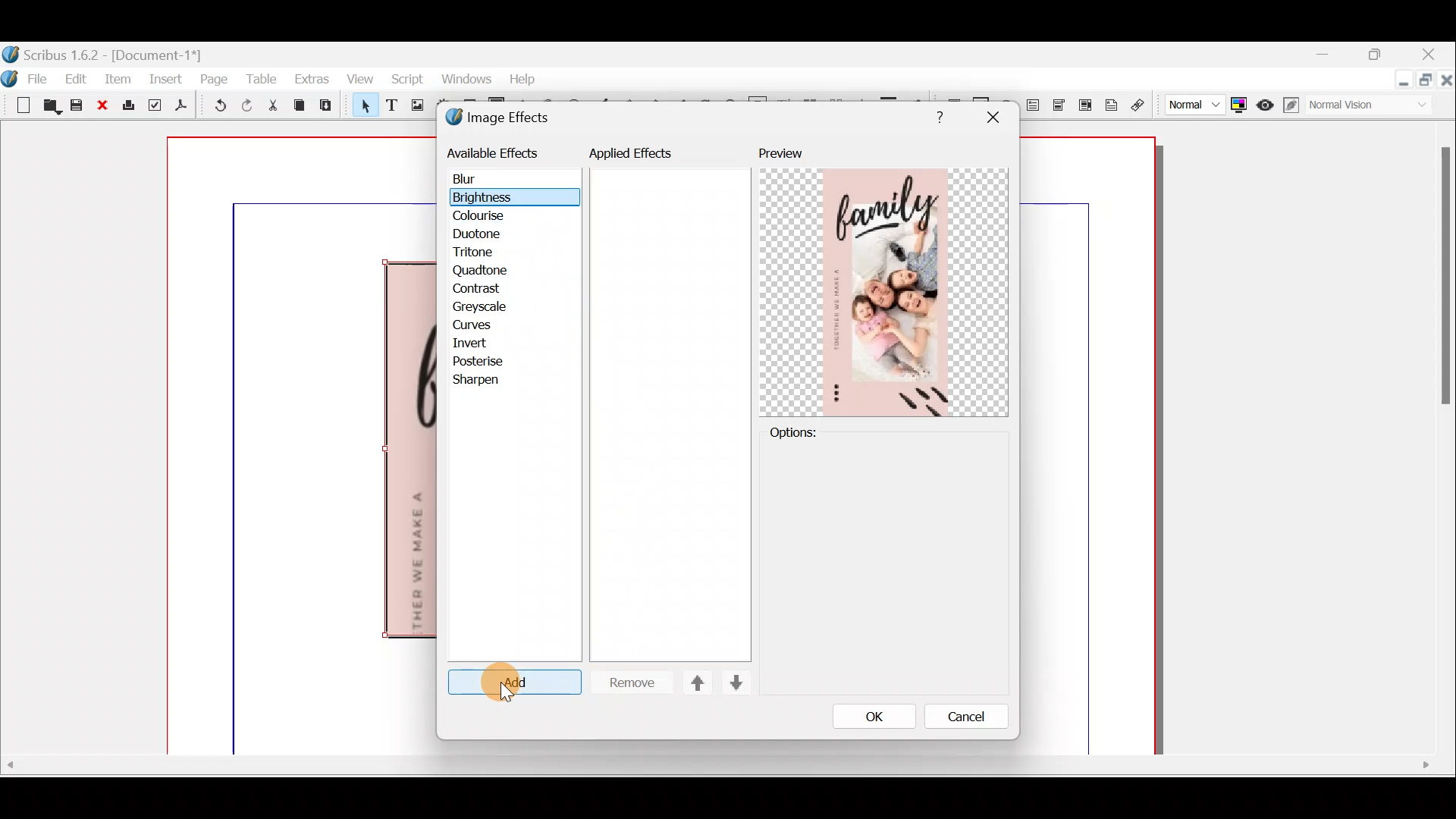 The height and width of the screenshot is (819, 1456). Describe the element at coordinates (1089, 447) in the screenshot. I see `canvas` at that location.